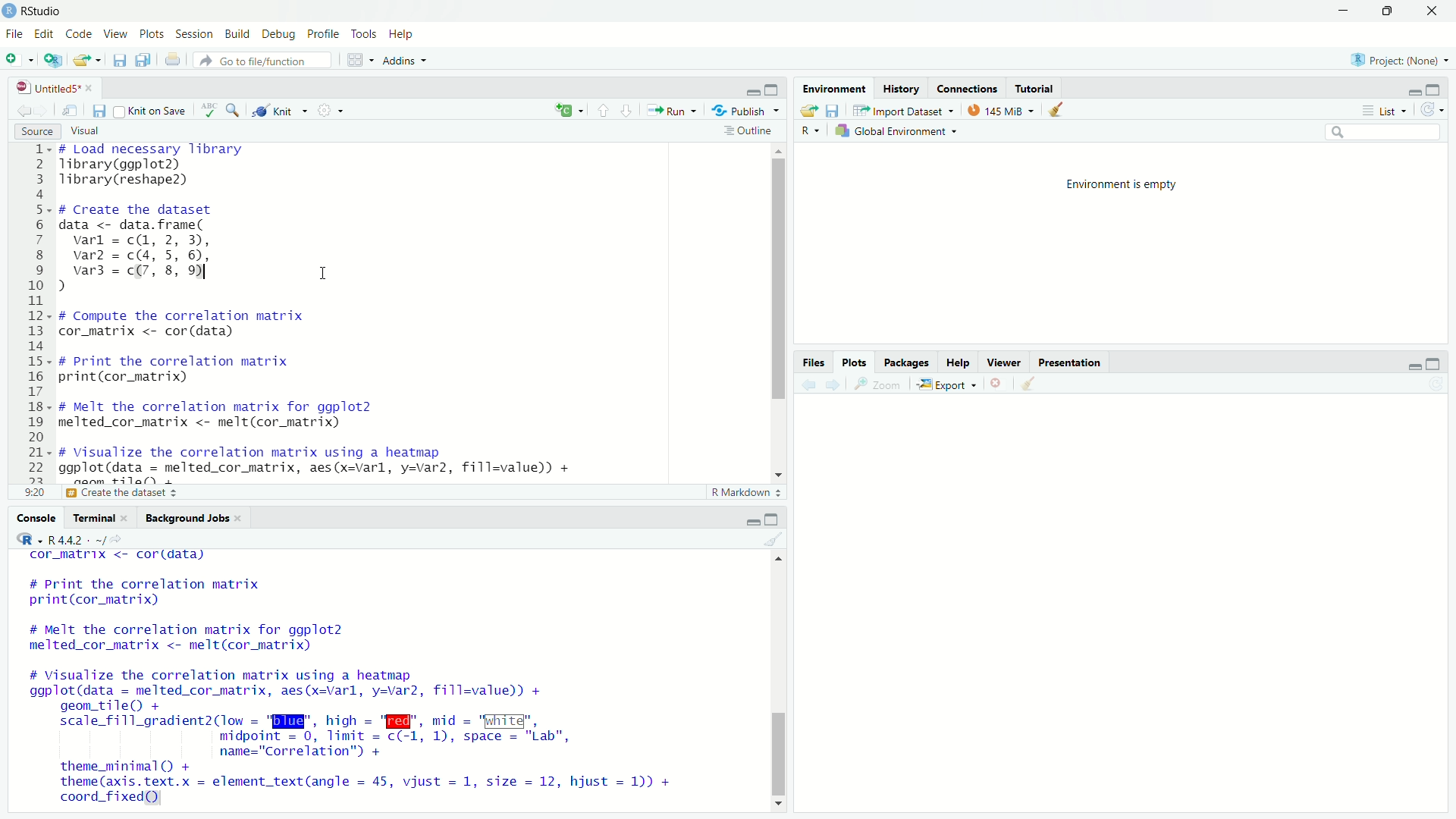 The height and width of the screenshot is (819, 1456). I want to click on save current document, so click(100, 111).